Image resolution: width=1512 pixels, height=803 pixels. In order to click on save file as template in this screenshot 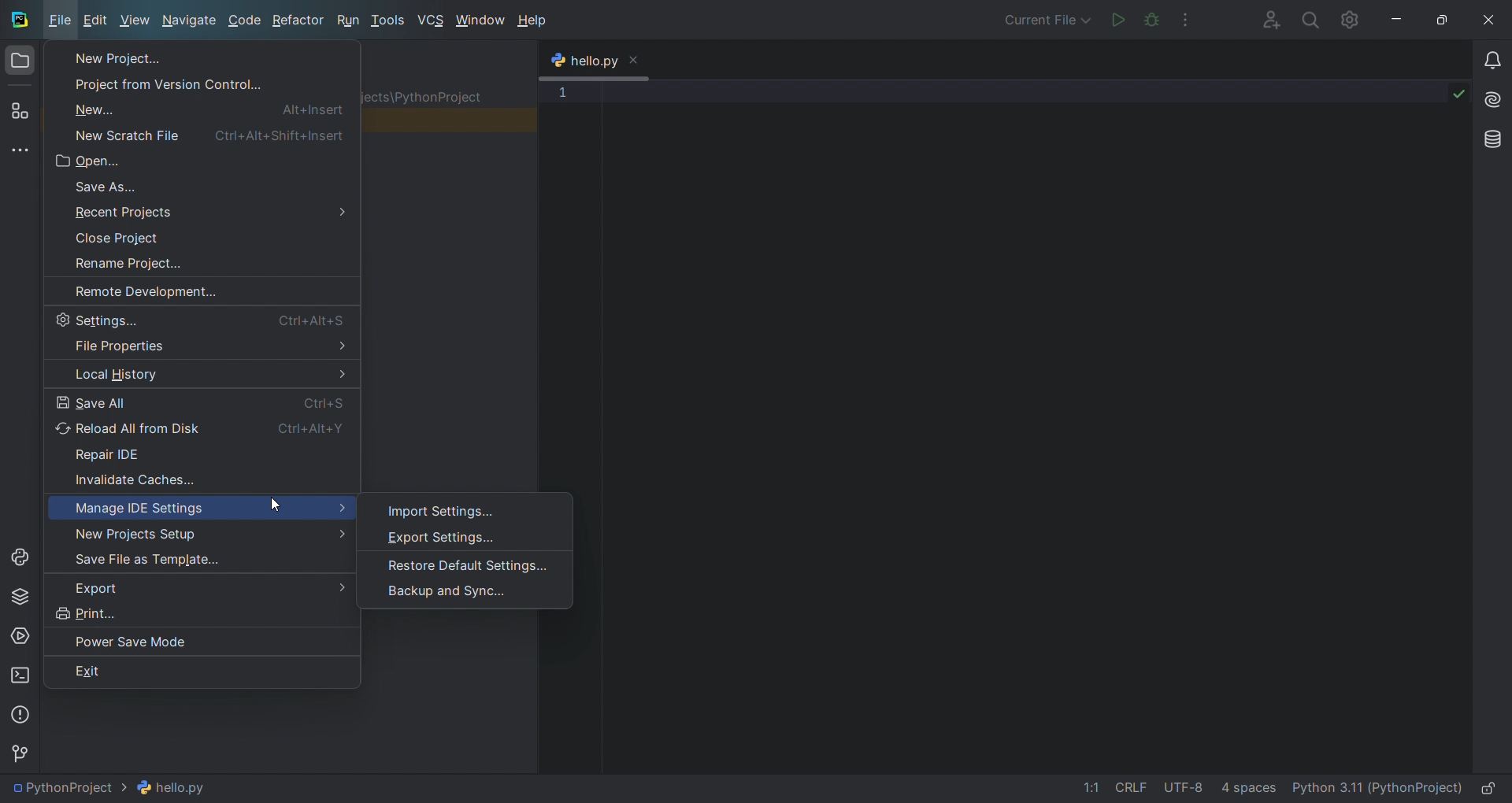, I will do `click(195, 557)`.